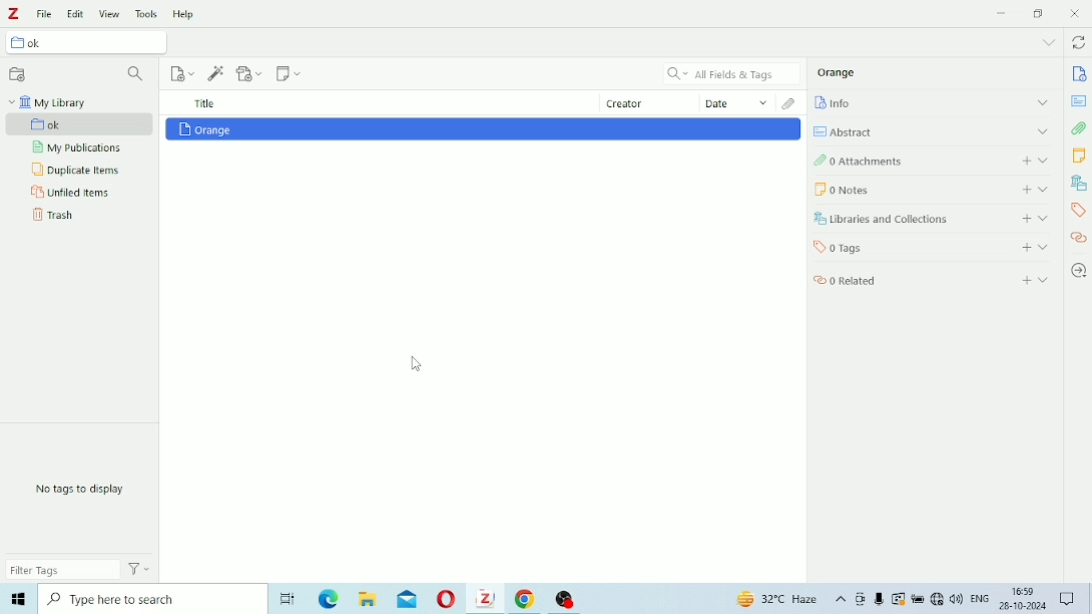 The width and height of the screenshot is (1092, 614). What do you see at coordinates (76, 14) in the screenshot?
I see `Edit` at bounding box center [76, 14].